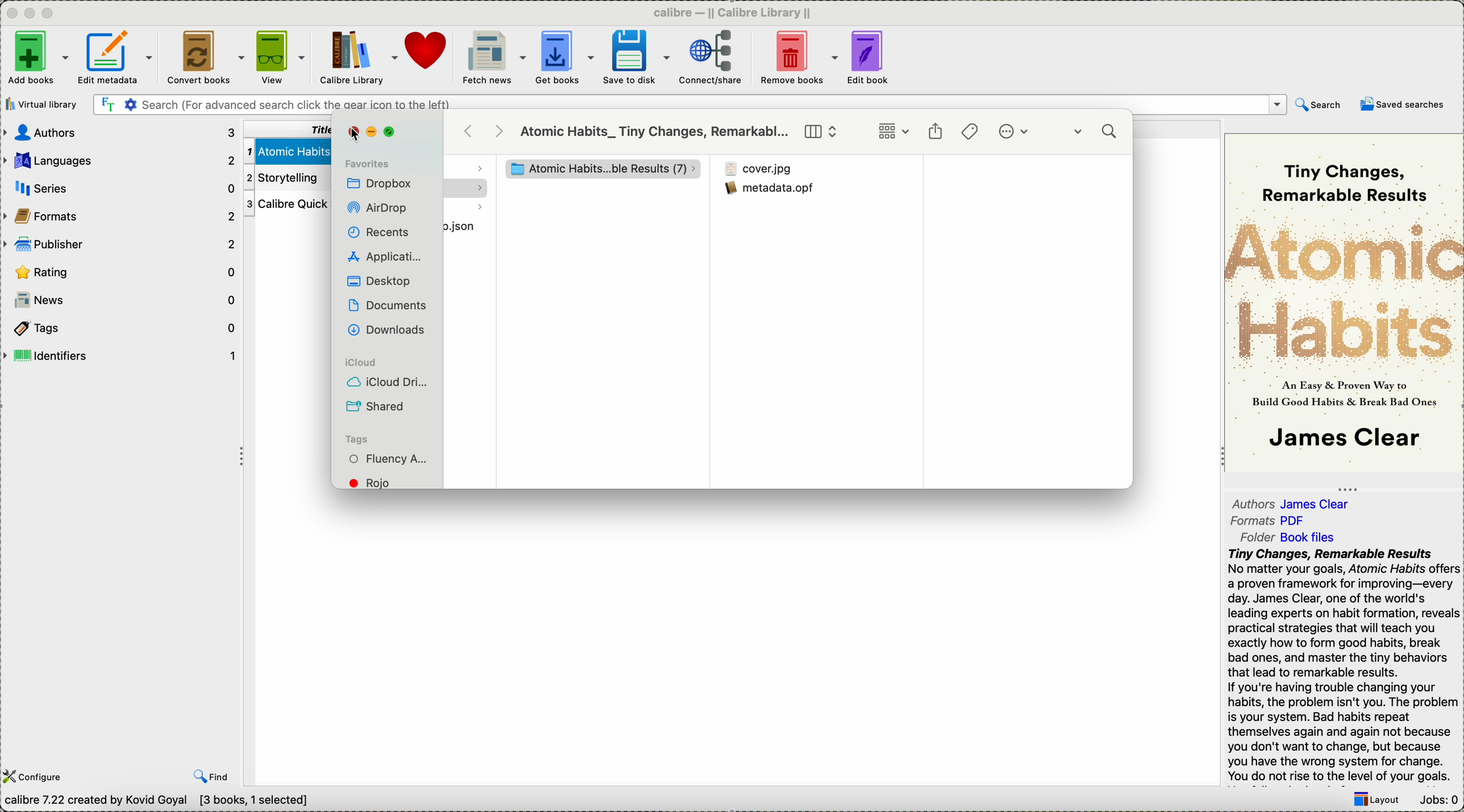 The image size is (1464, 812). What do you see at coordinates (485, 131) in the screenshot?
I see `navigate arrows` at bounding box center [485, 131].